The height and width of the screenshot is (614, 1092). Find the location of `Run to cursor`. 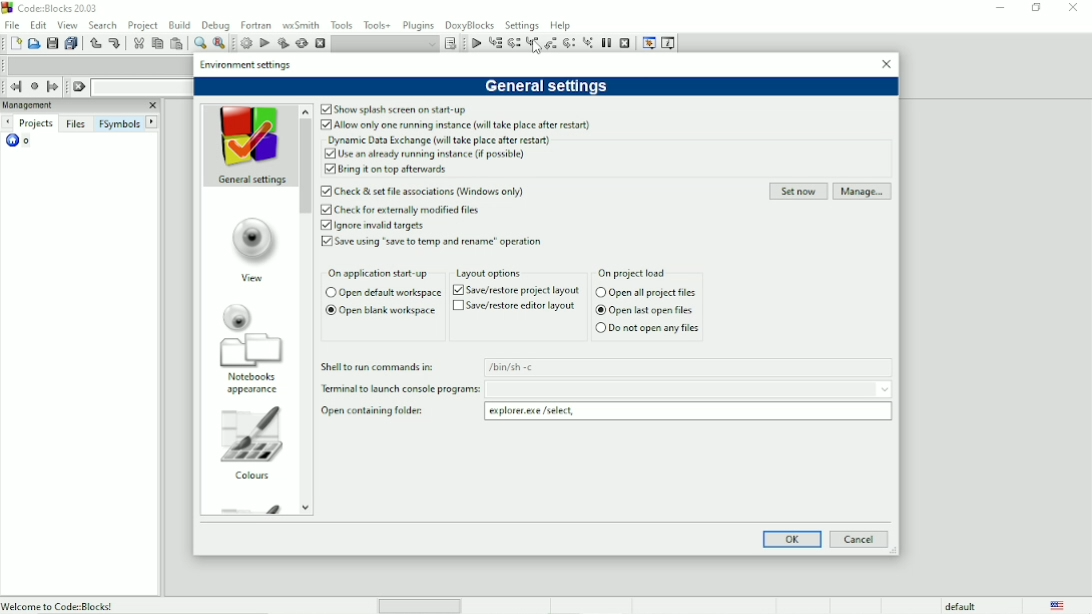

Run to cursor is located at coordinates (495, 43).